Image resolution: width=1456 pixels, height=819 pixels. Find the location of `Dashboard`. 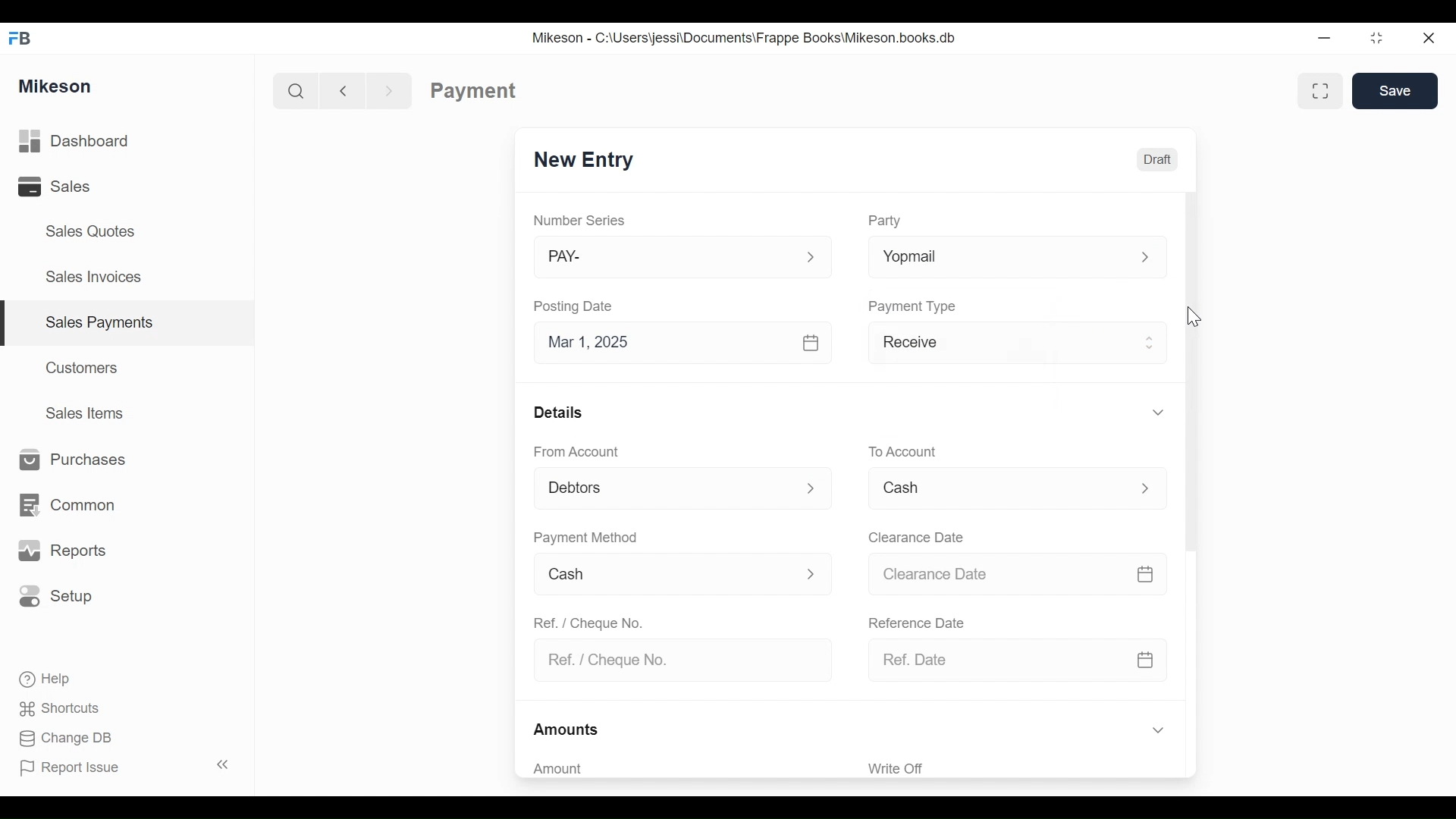

Dashboard is located at coordinates (99, 142).